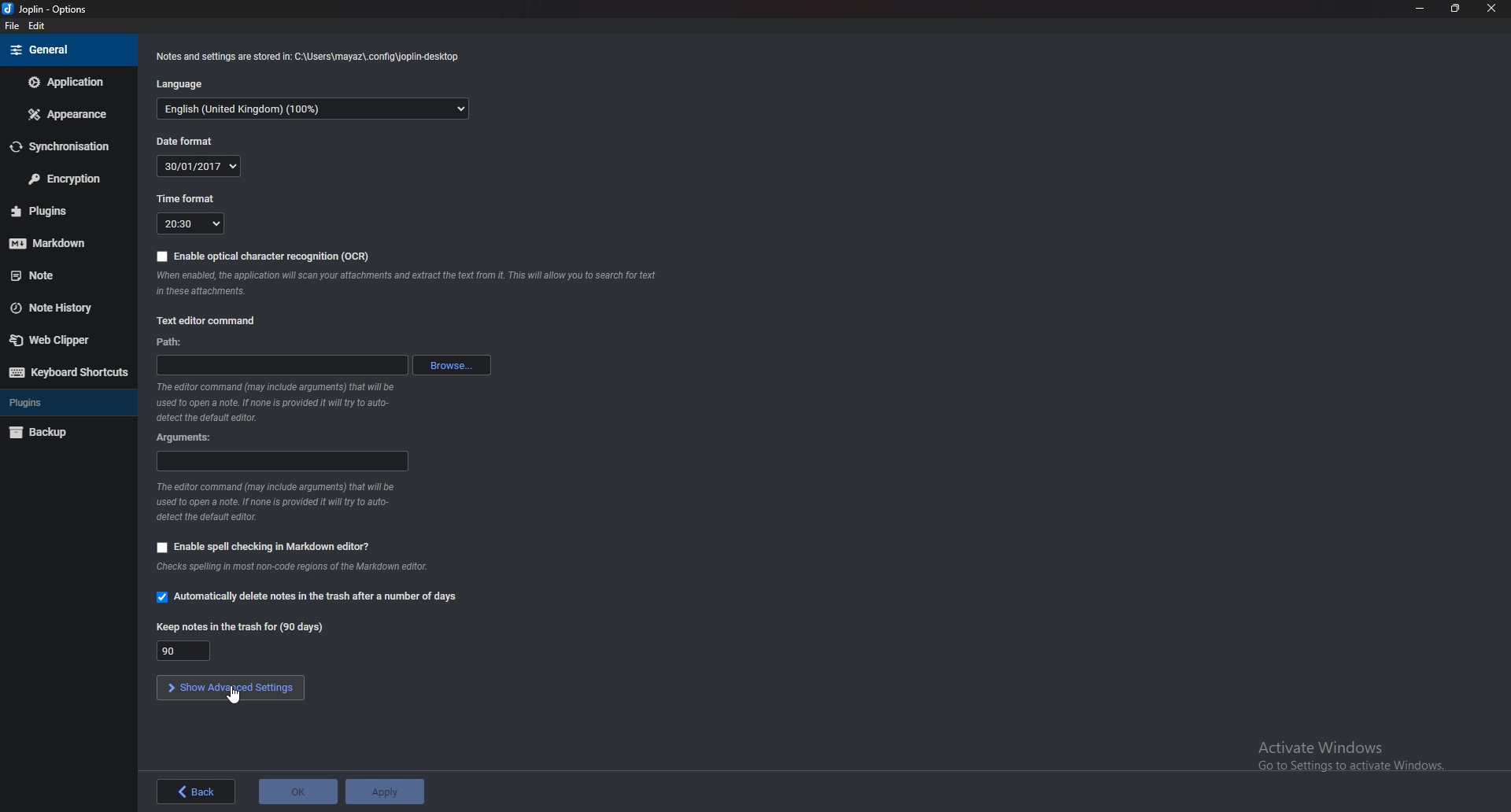 This screenshot has height=812, width=1511. Describe the element at coordinates (453, 365) in the screenshot. I see `browse` at that location.